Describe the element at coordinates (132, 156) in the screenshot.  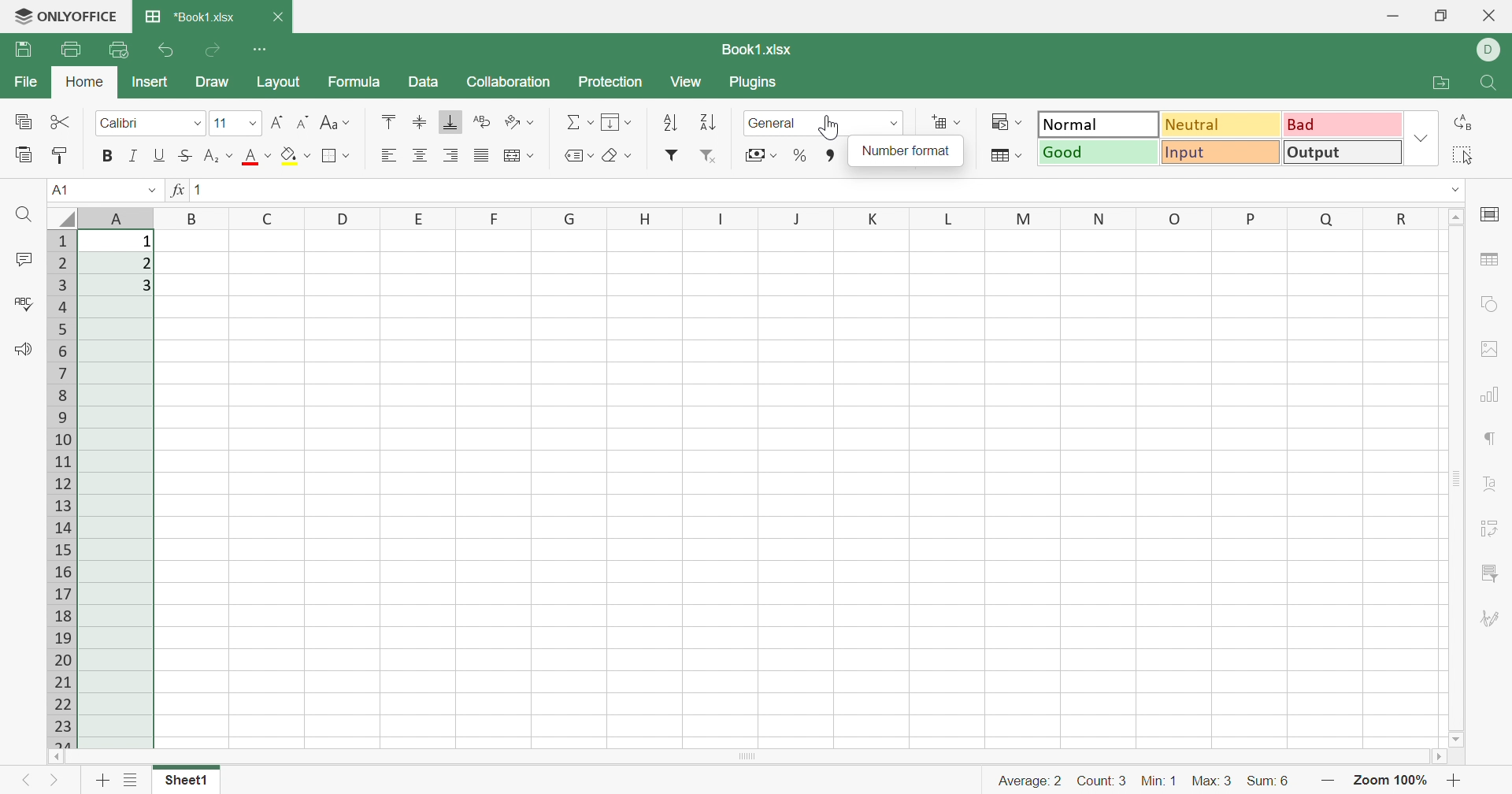
I see `Italic` at that location.